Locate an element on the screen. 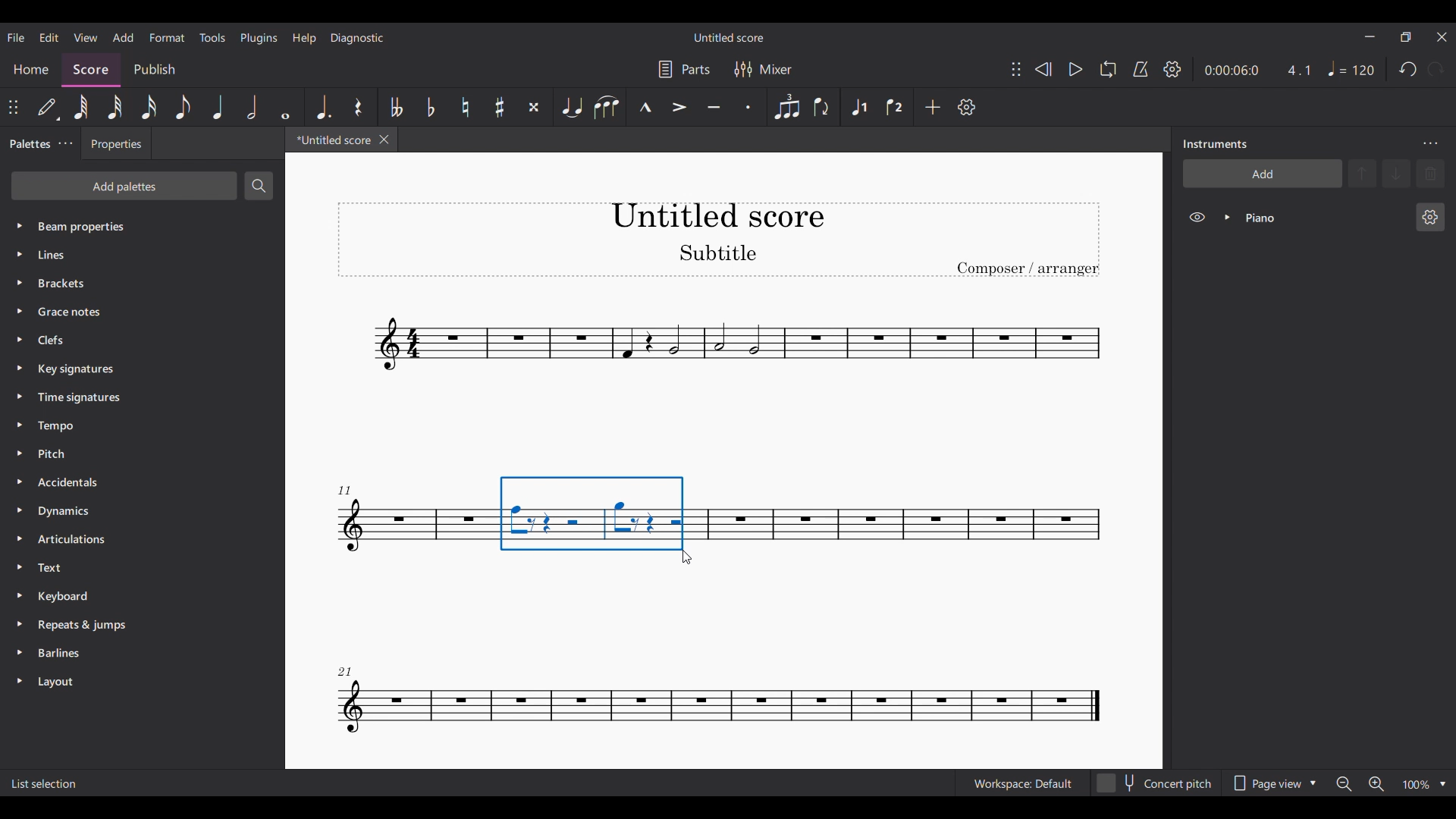  Rewind is located at coordinates (1043, 69).